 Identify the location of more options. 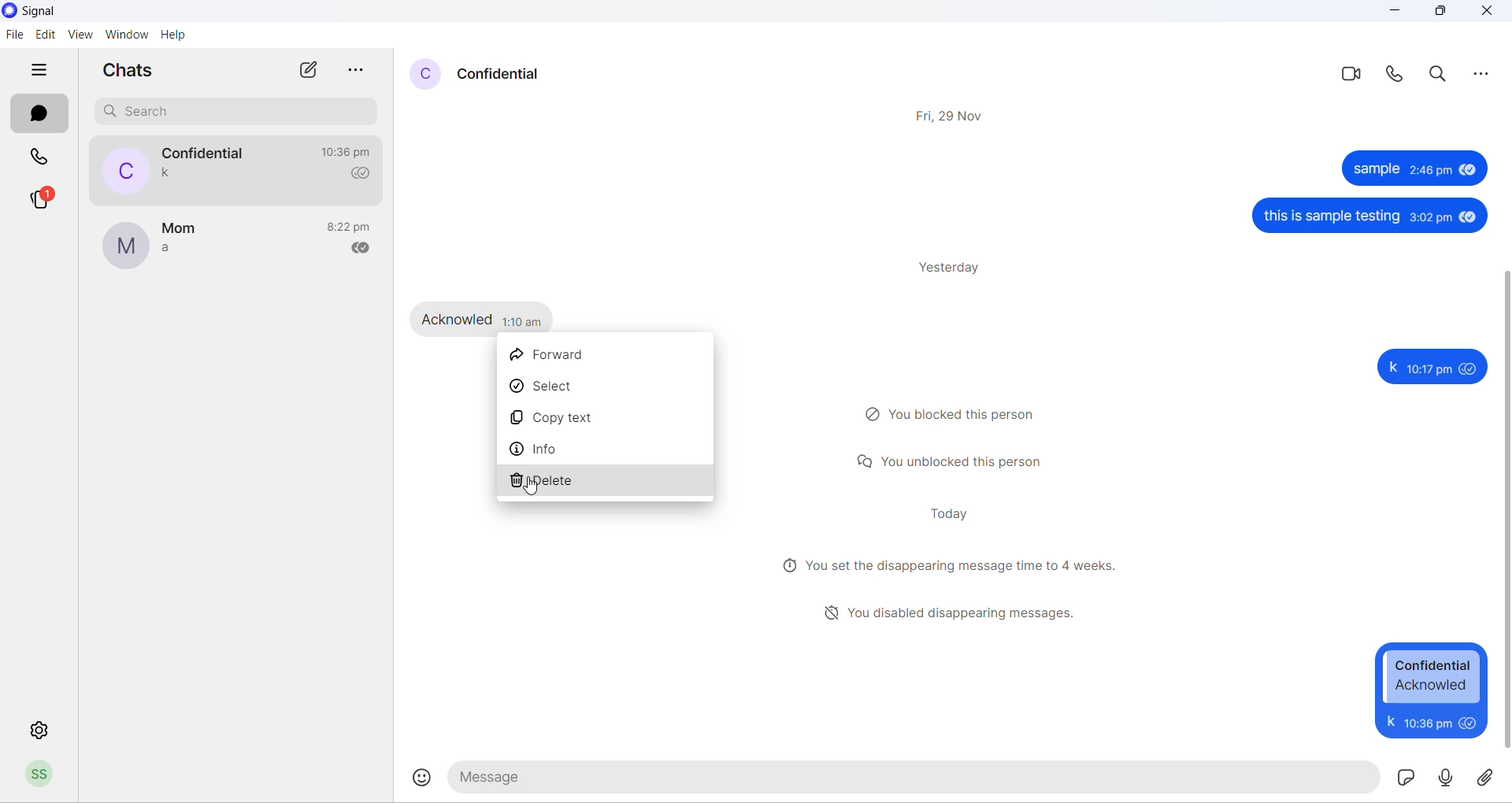
(1486, 76).